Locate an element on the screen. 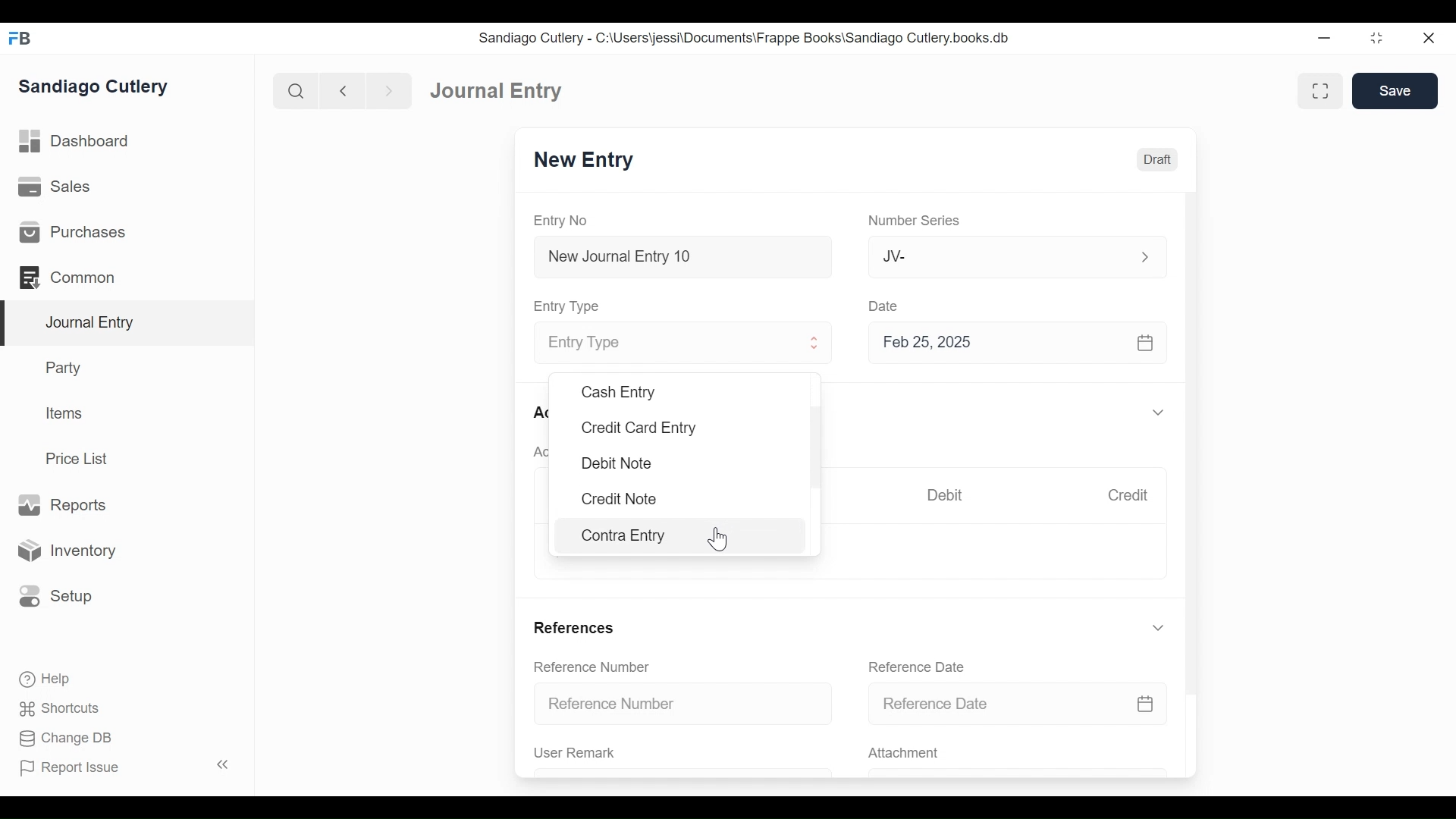 The width and height of the screenshot is (1456, 819). Journal Entry is located at coordinates (494, 92).